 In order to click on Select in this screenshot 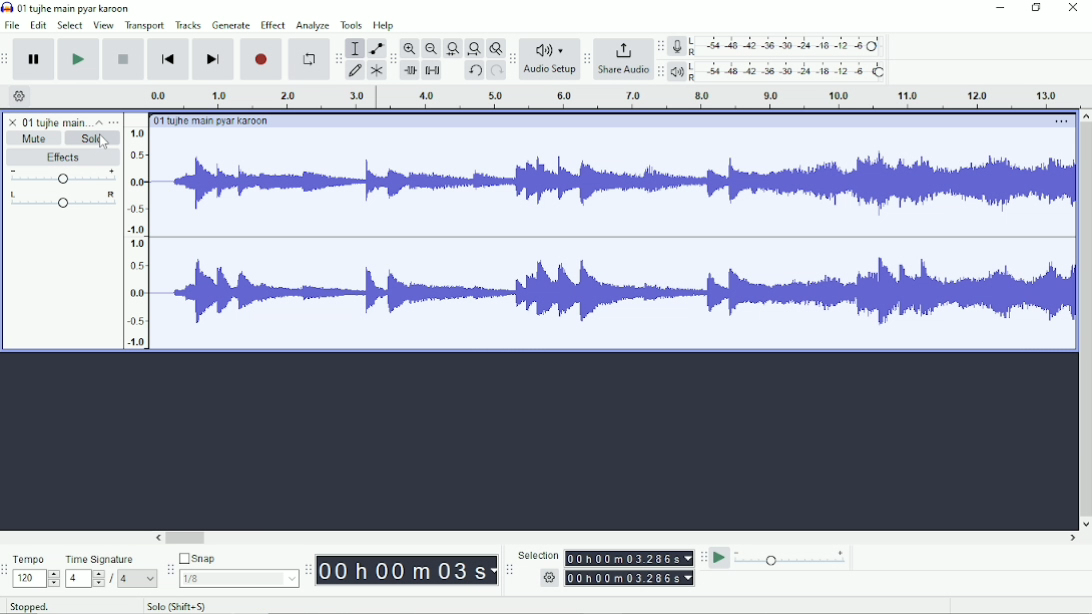, I will do `click(68, 25)`.